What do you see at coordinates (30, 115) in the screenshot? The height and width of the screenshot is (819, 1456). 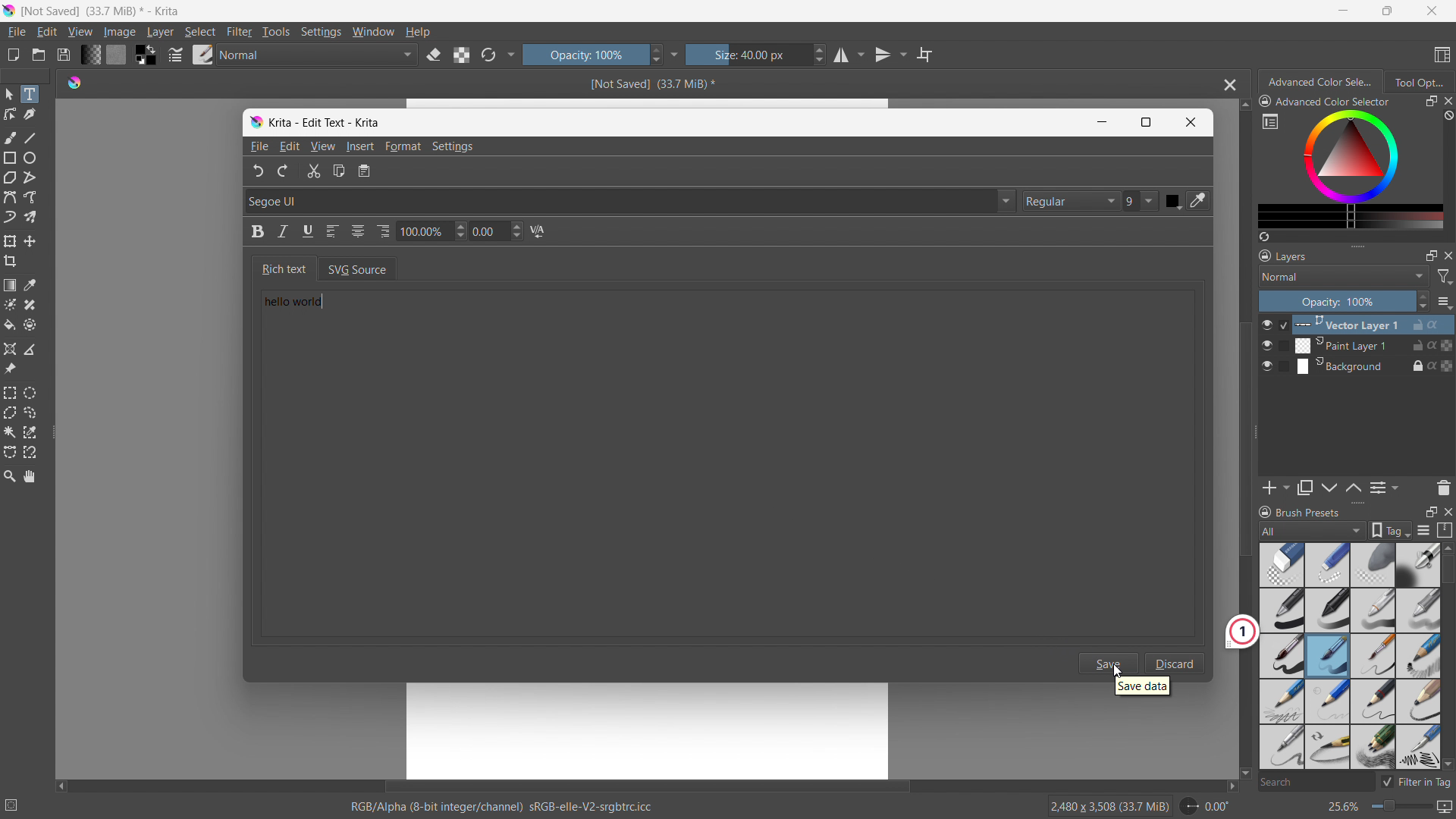 I see `caligraphy tool` at bounding box center [30, 115].